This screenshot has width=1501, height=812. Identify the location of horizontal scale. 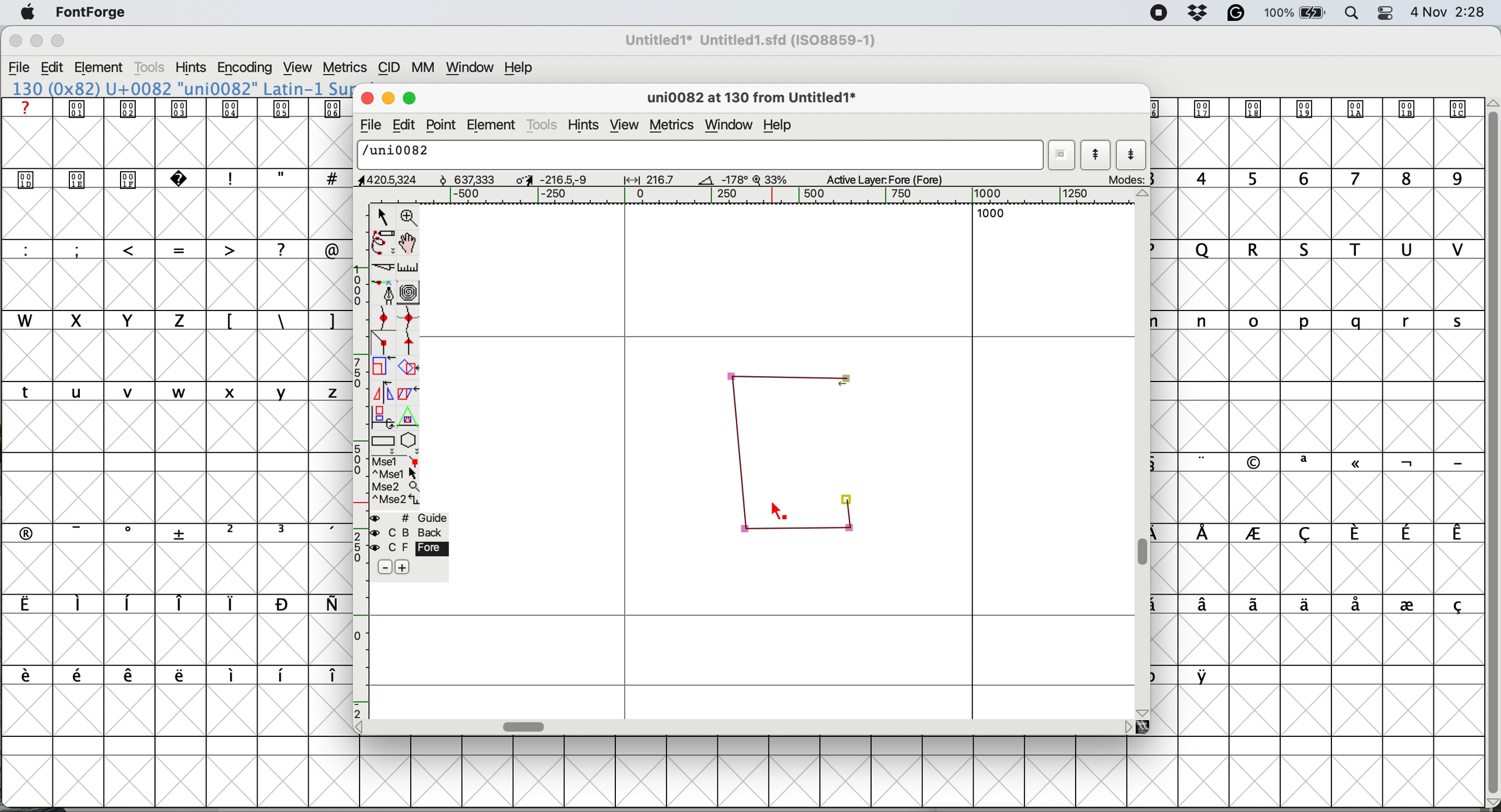
(769, 196).